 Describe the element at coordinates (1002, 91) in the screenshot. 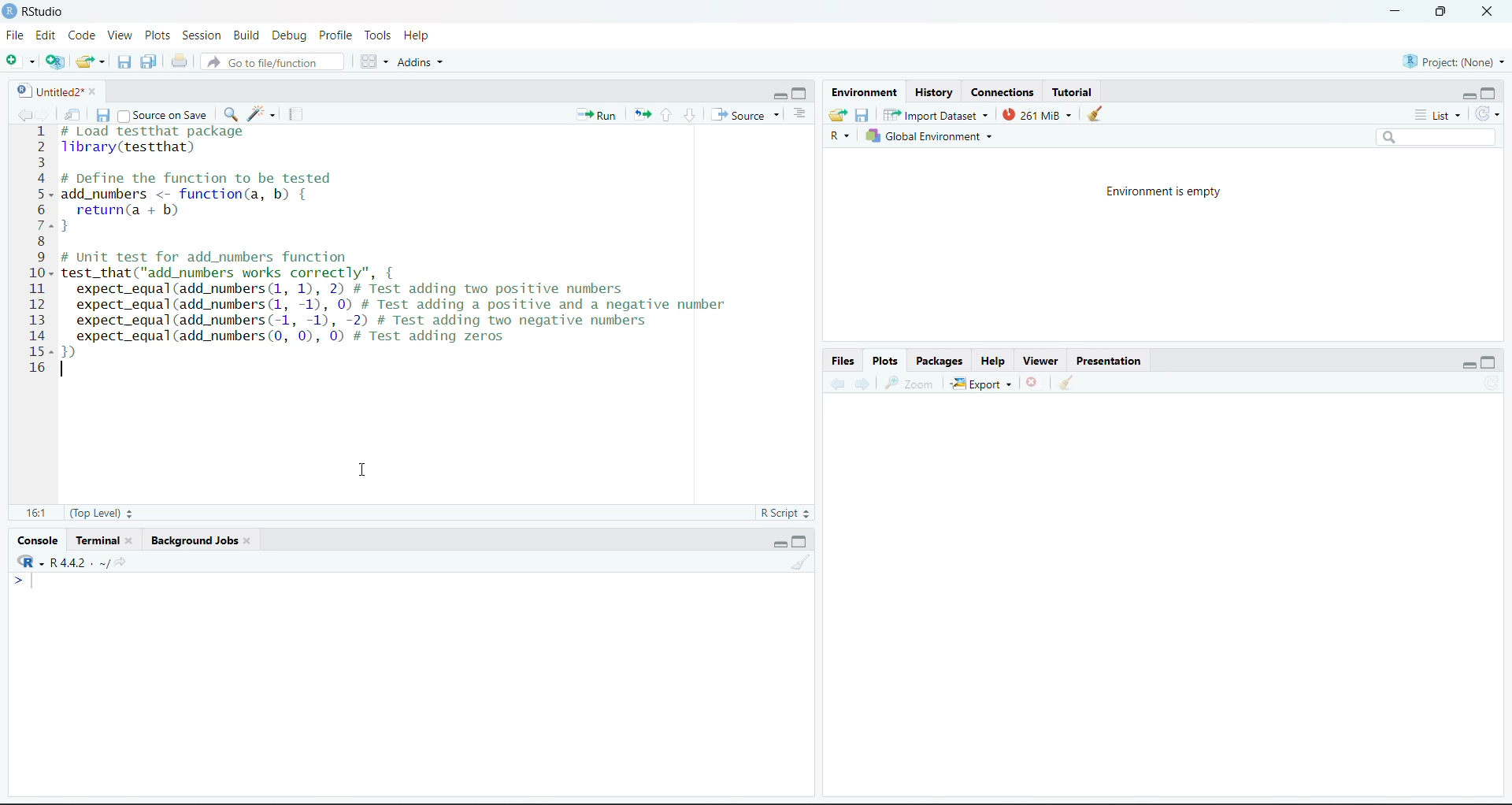

I see `Connections` at that location.